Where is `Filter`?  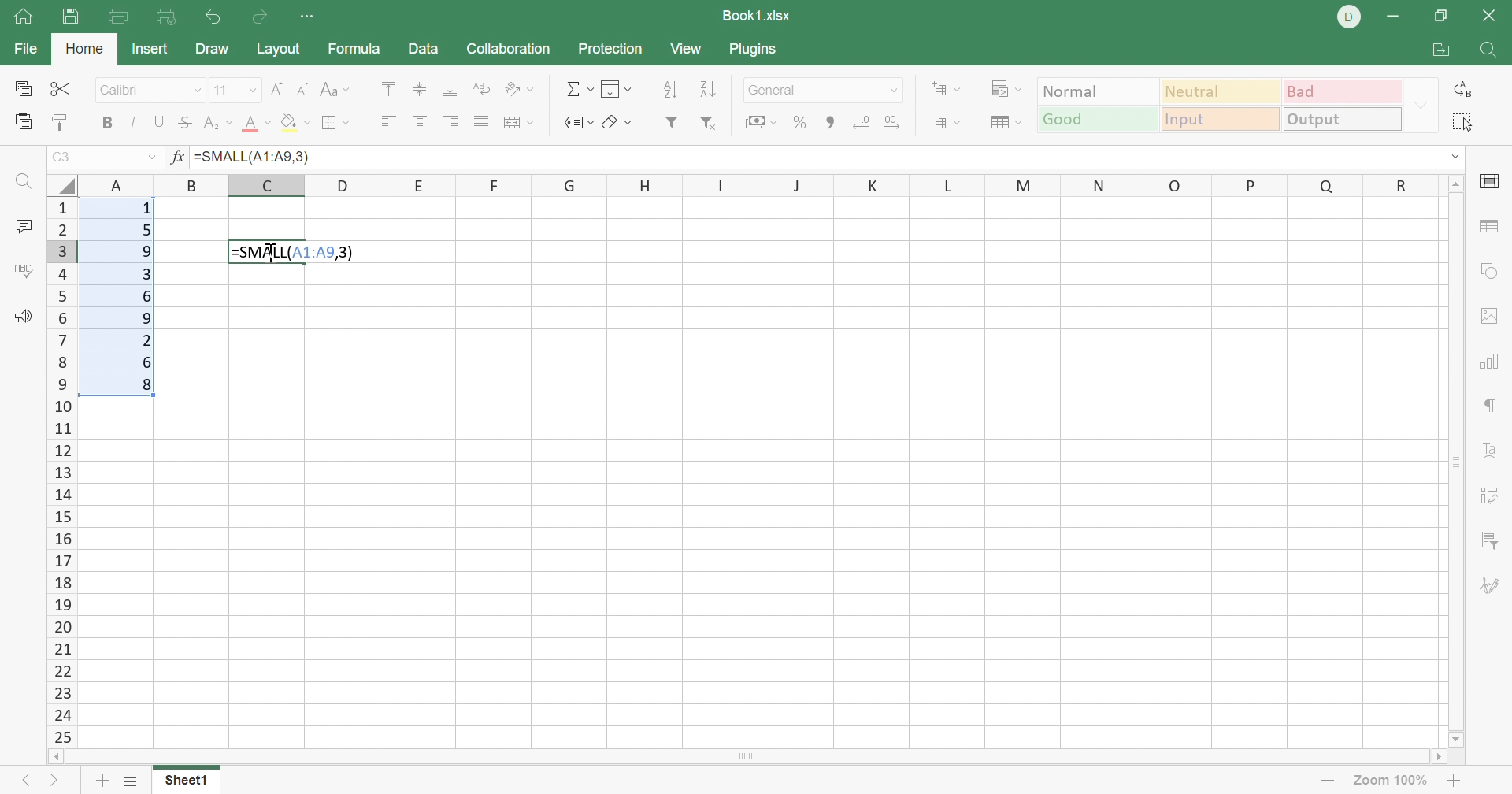
Filter is located at coordinates (672, 121).